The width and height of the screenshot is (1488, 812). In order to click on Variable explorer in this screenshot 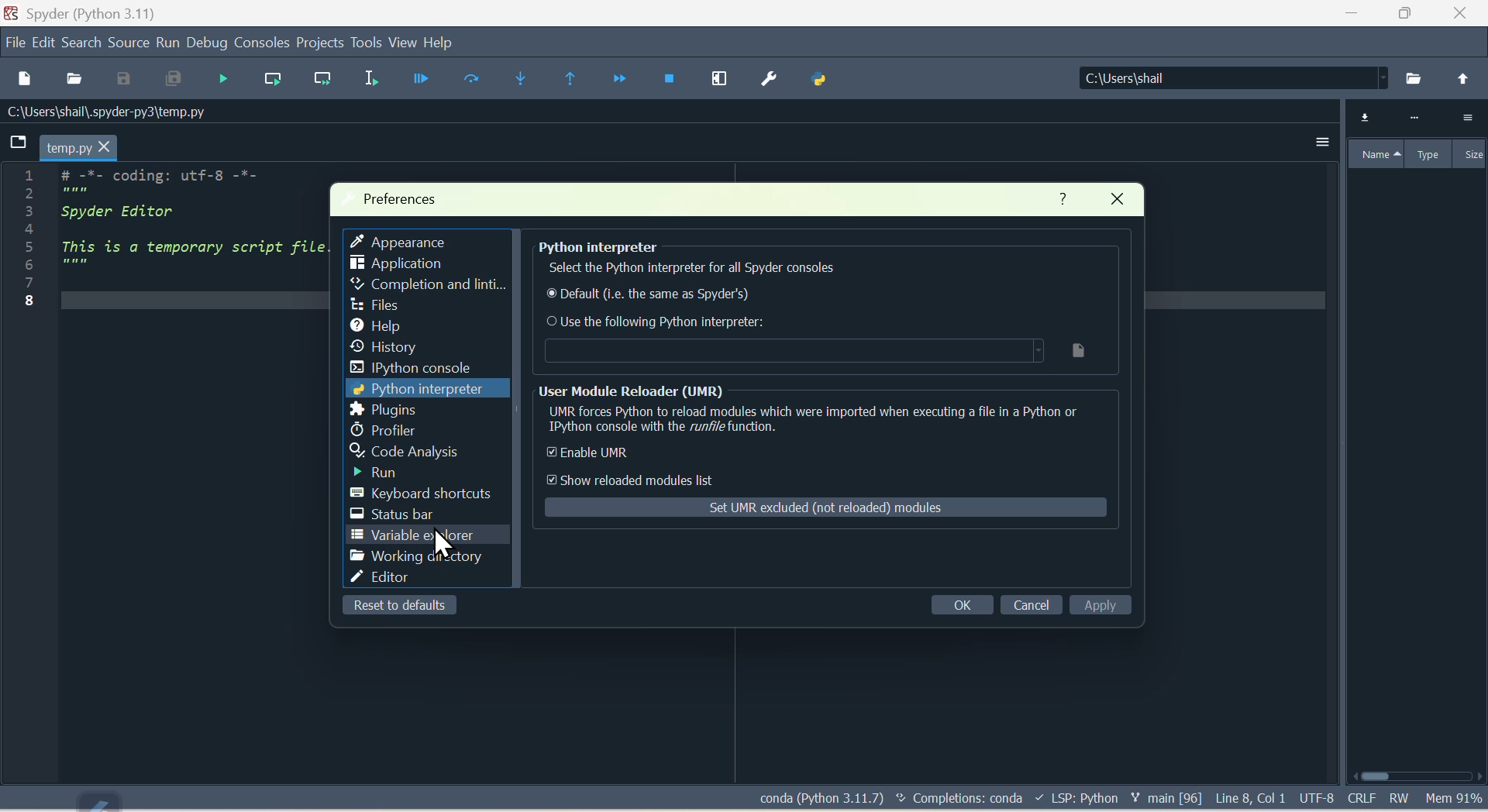, I will do `click(1413, 137)`.